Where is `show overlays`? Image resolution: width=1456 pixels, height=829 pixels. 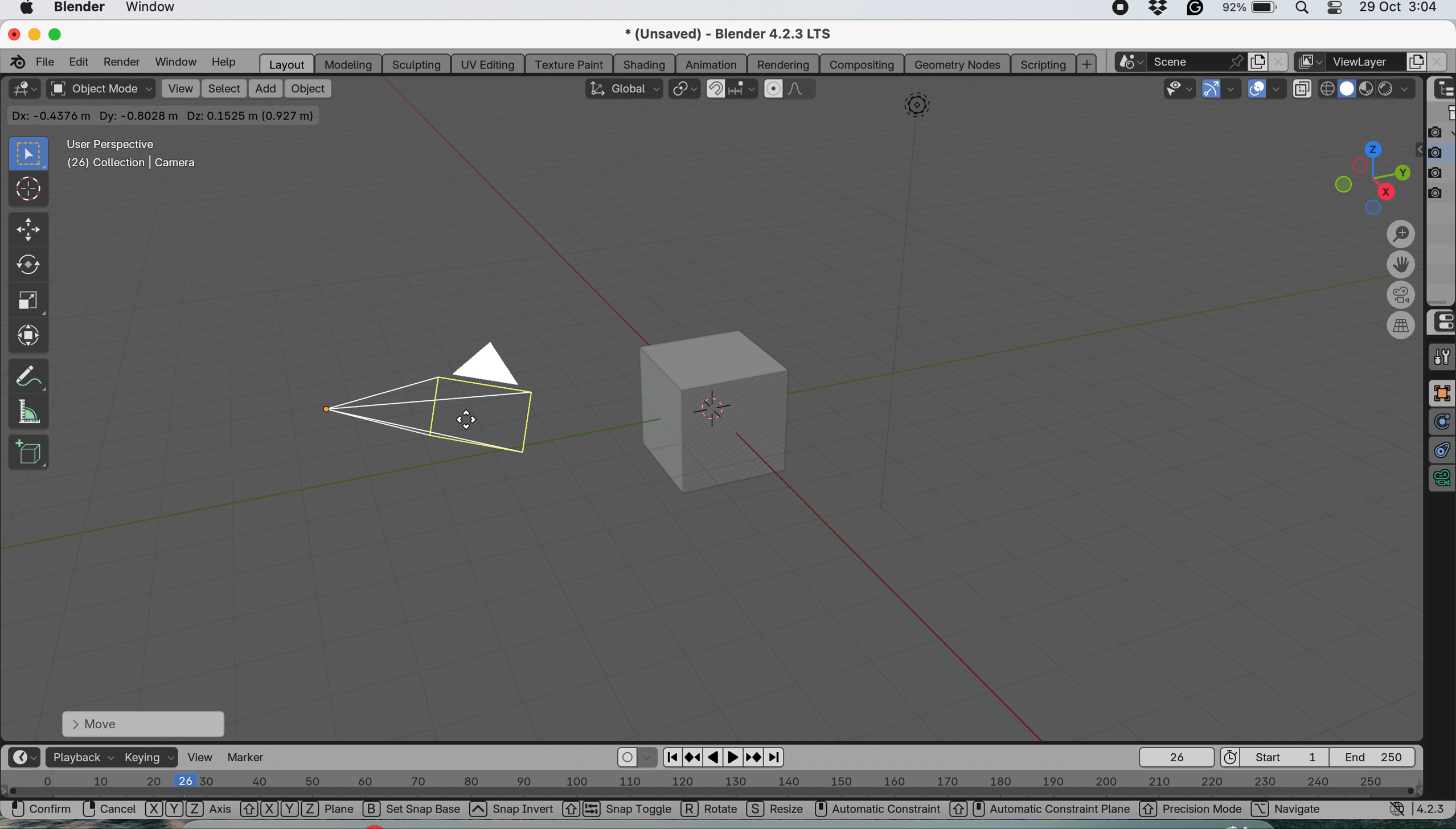
show overlays is located at coordinates (1258, 90).